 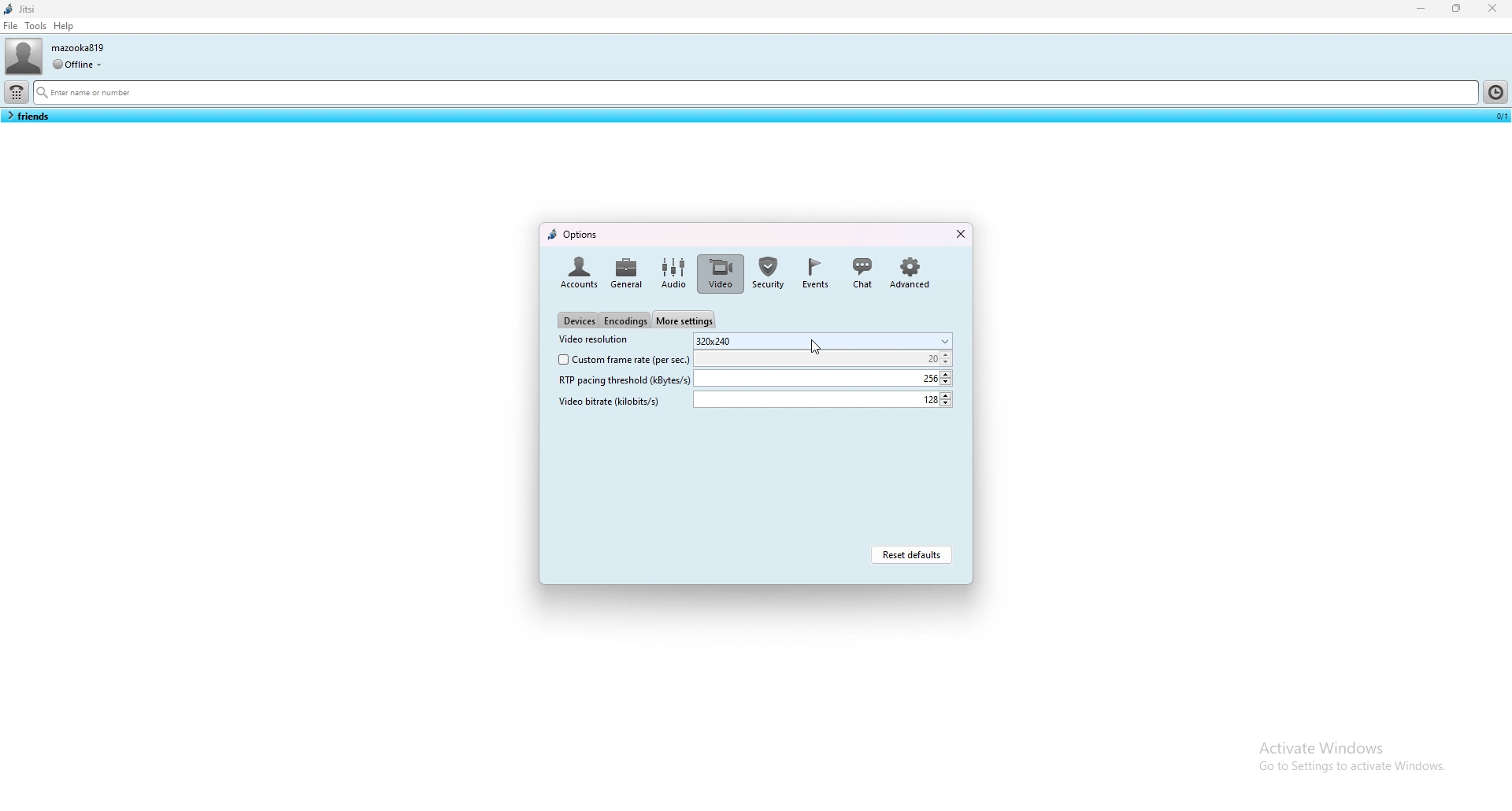 What do you see at coordinates (862, 271) in the screenshot?
I see `chat` at bounding box center [862, 271].